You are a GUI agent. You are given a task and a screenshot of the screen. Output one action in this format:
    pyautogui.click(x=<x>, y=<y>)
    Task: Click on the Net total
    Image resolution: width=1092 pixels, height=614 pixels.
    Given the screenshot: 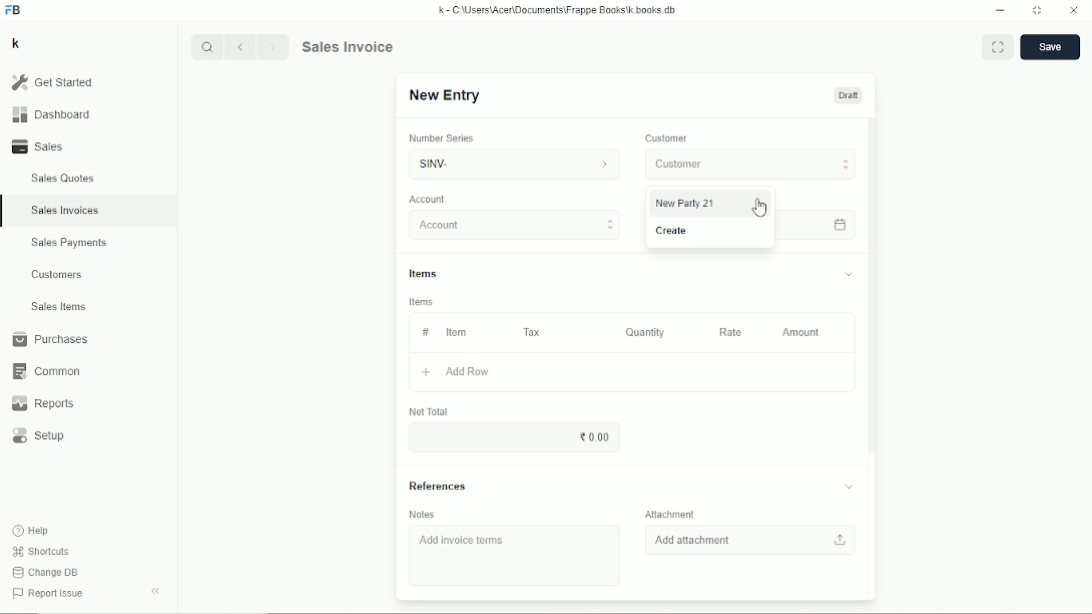 What is the action you would take?
    pyautogui.click(x=427, y=411)
    